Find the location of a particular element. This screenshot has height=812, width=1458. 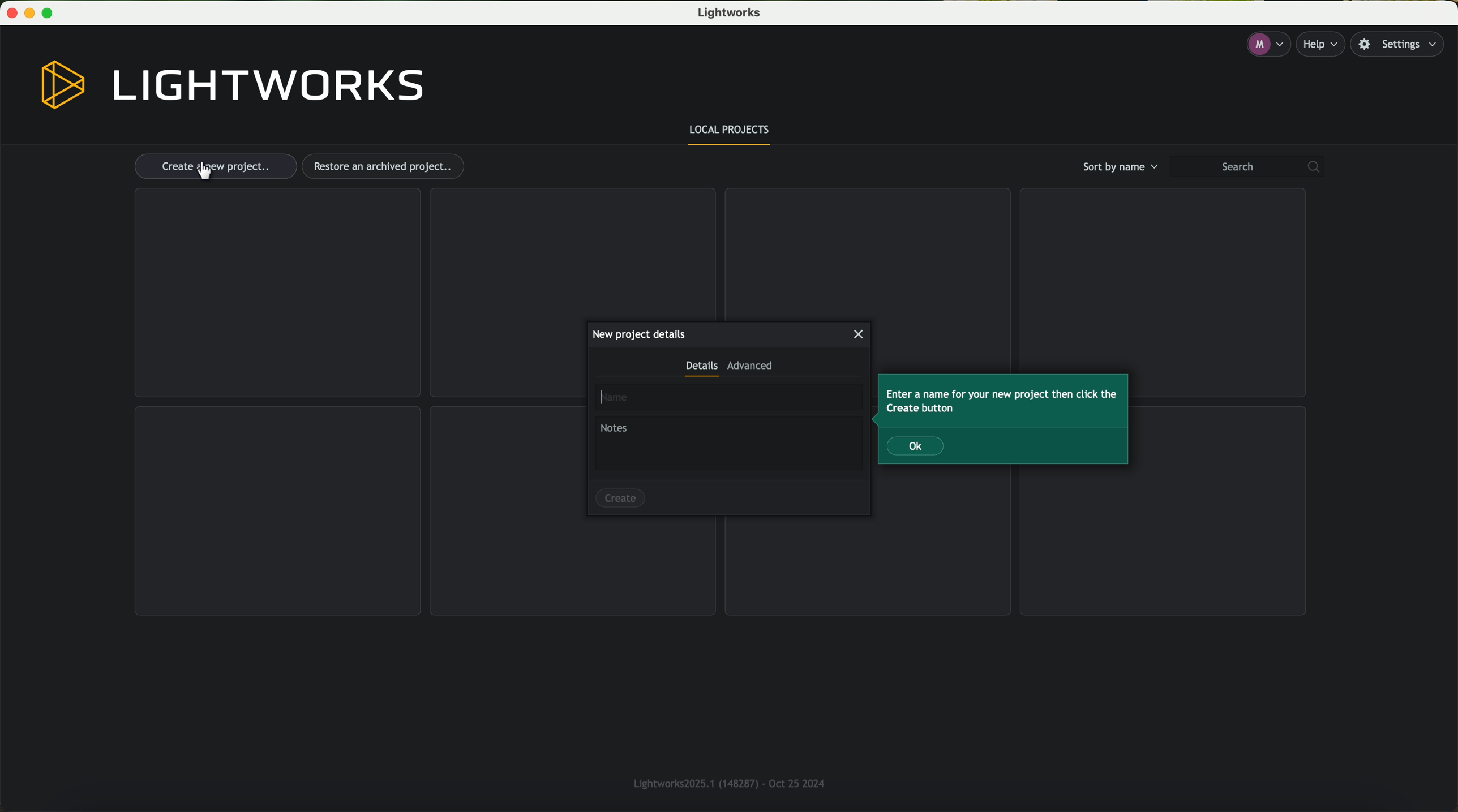

grid is located at coordinates (1164, 543).